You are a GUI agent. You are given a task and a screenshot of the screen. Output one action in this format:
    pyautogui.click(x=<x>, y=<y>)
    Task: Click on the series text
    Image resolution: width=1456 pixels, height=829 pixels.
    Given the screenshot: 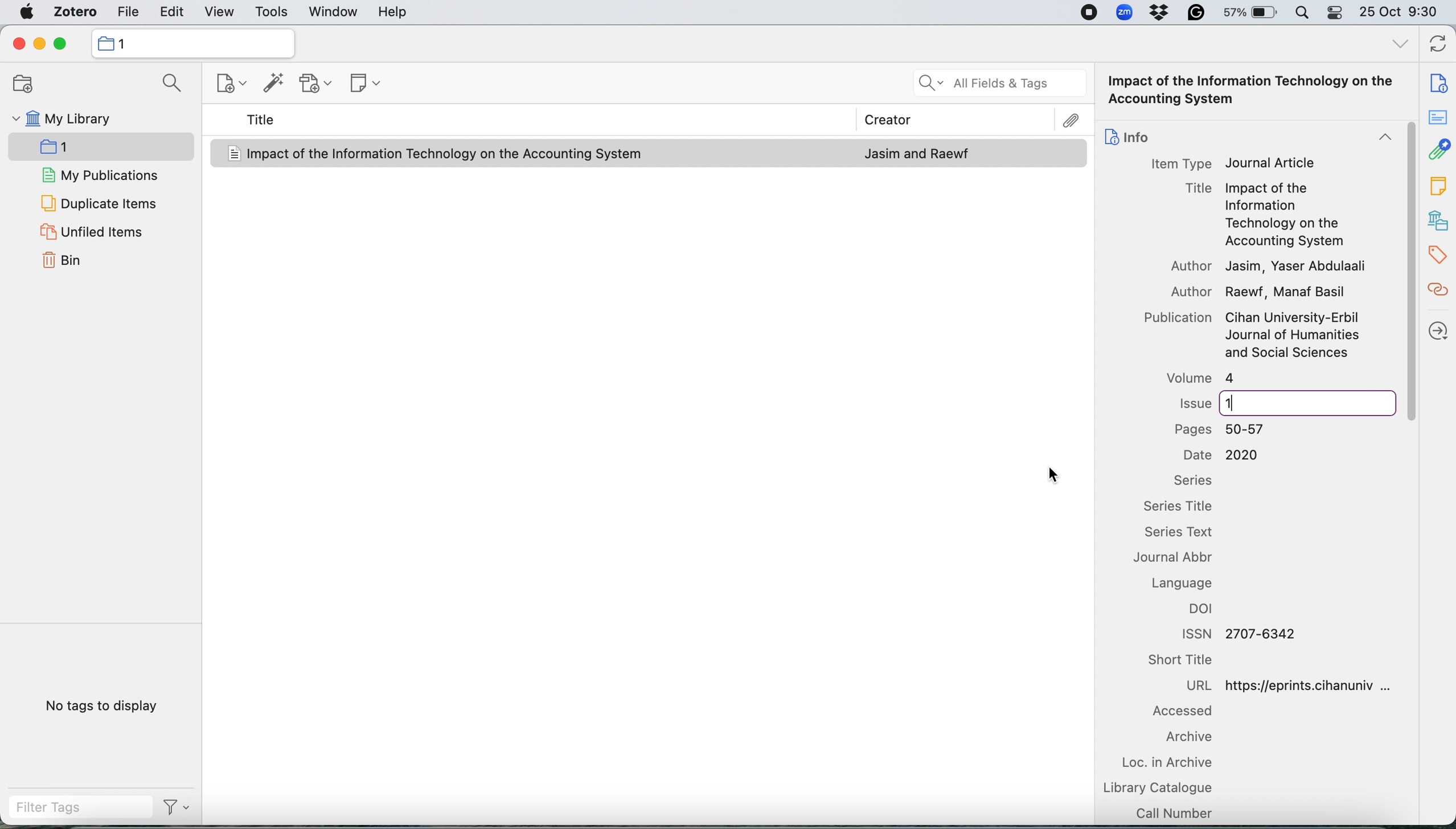 What is the action you would take?
    pyautogui.click(x=1188, y=533)
    